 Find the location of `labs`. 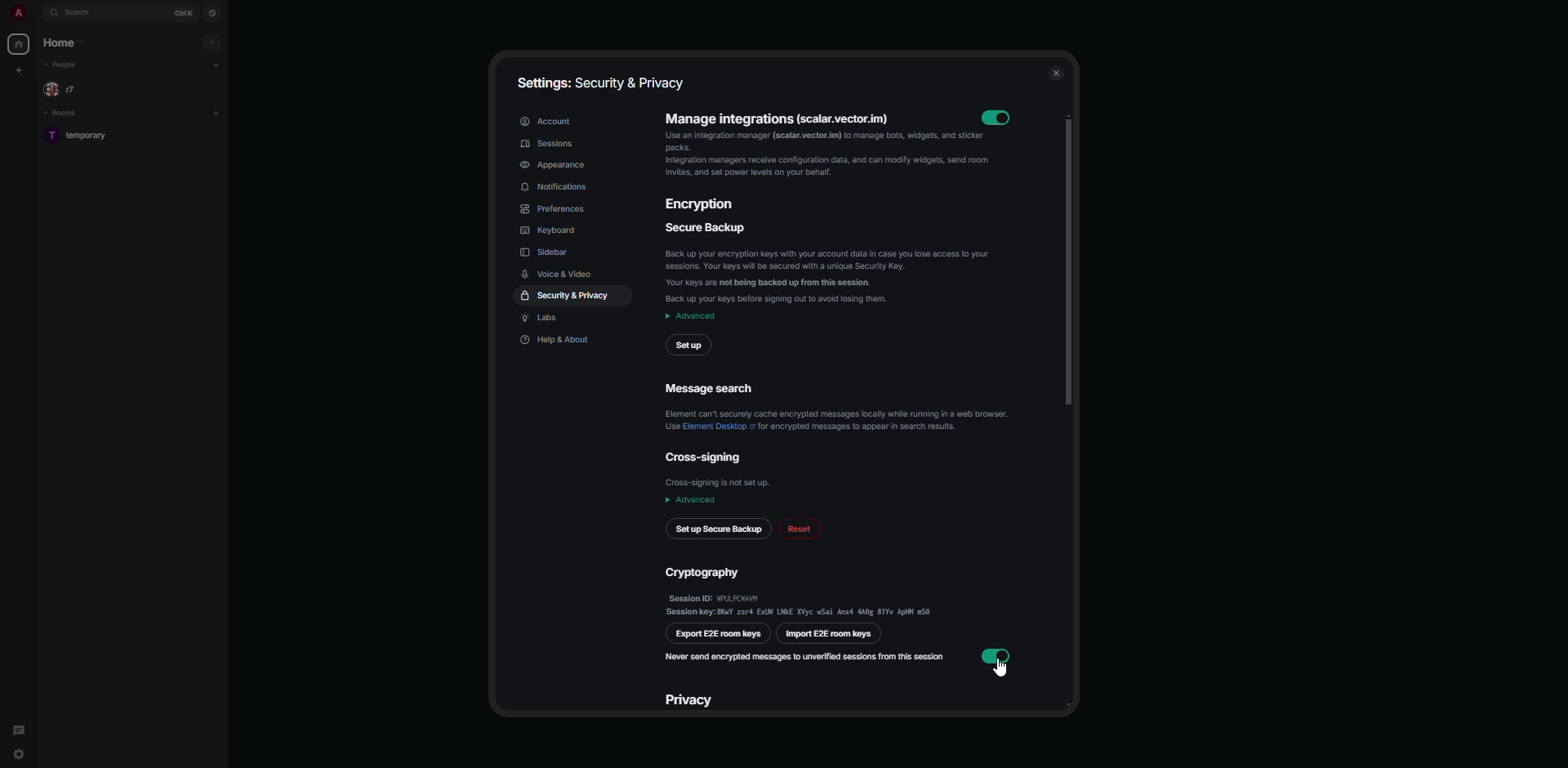

labs is located at coordinates (547, 319).